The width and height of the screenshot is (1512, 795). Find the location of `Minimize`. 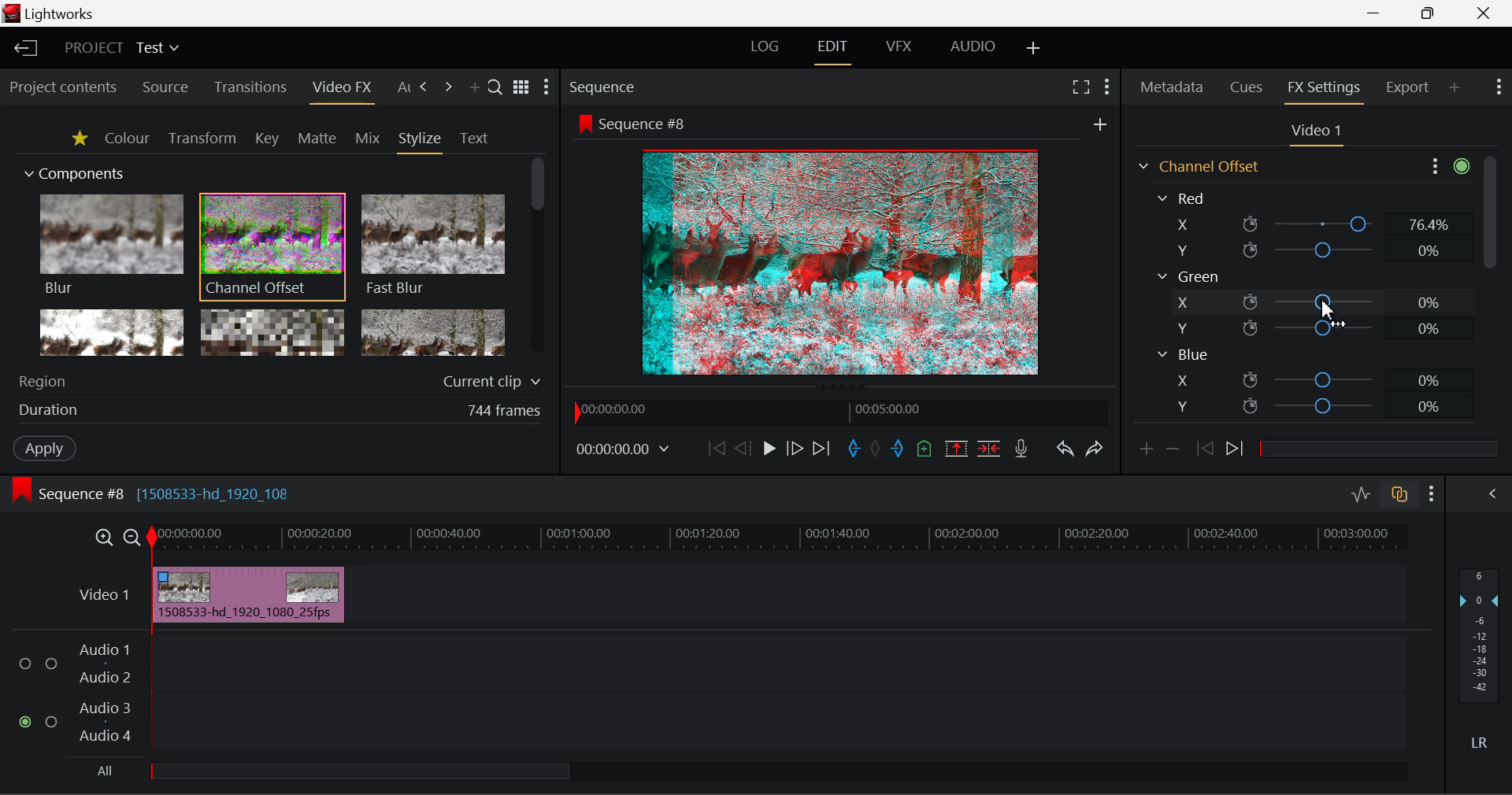

Minimize is located at coordinates (1431, 13).